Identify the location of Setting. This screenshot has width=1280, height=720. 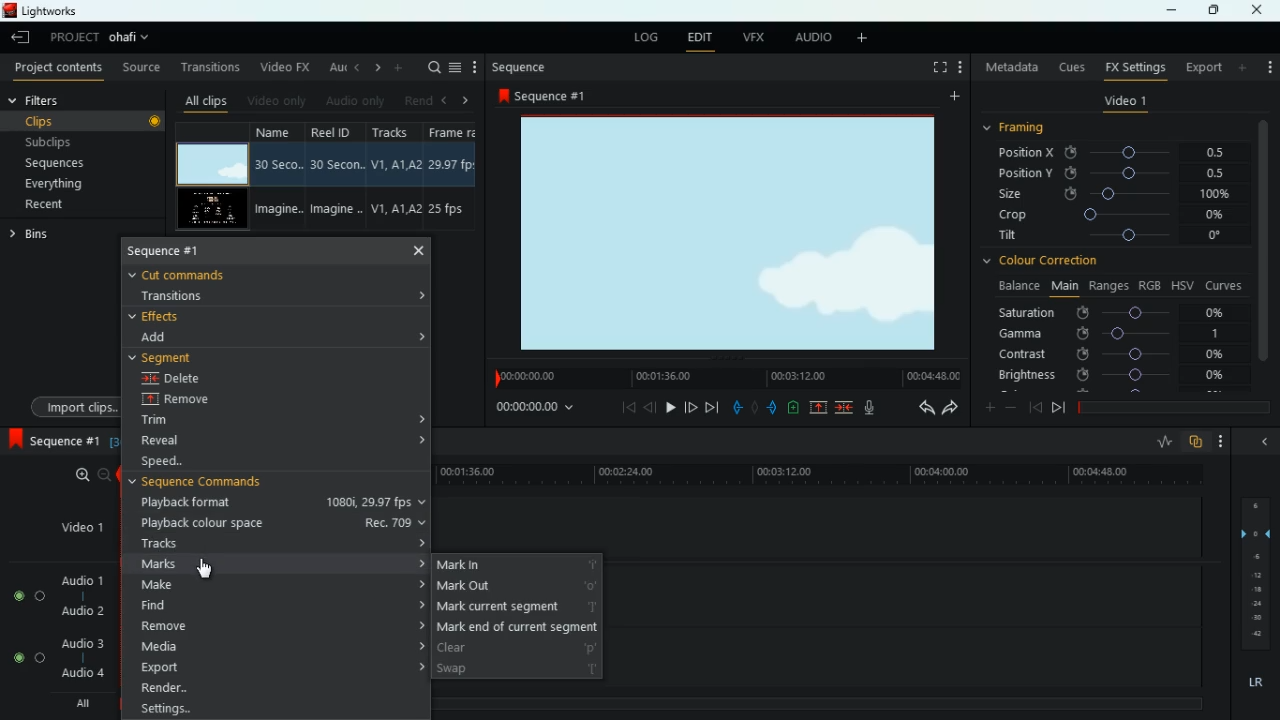
(960, 67).